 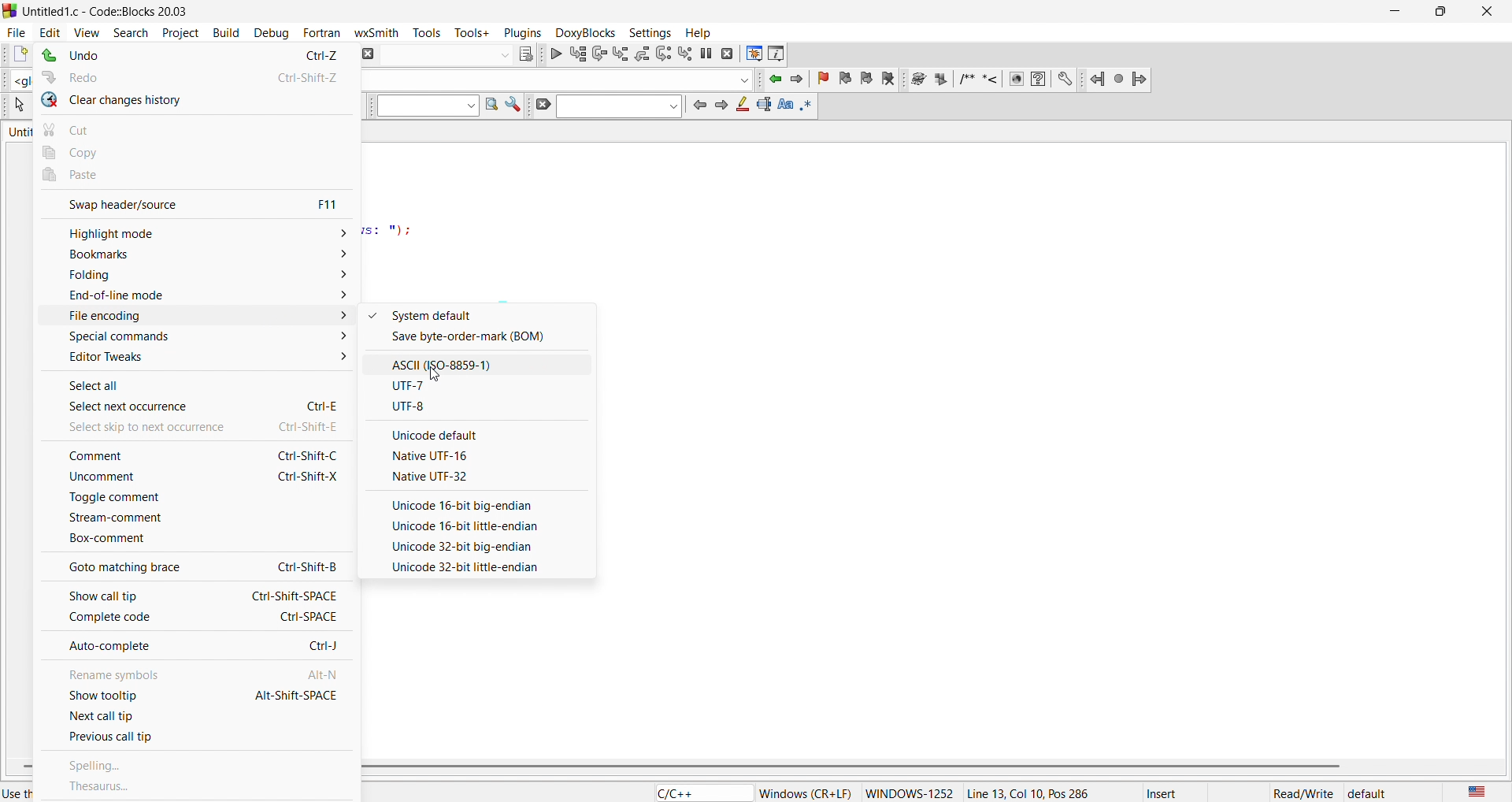 What do you see at coordinates (197, 698) in the screenshot?
I see `show tooltip` at bounding box center [197, 698].